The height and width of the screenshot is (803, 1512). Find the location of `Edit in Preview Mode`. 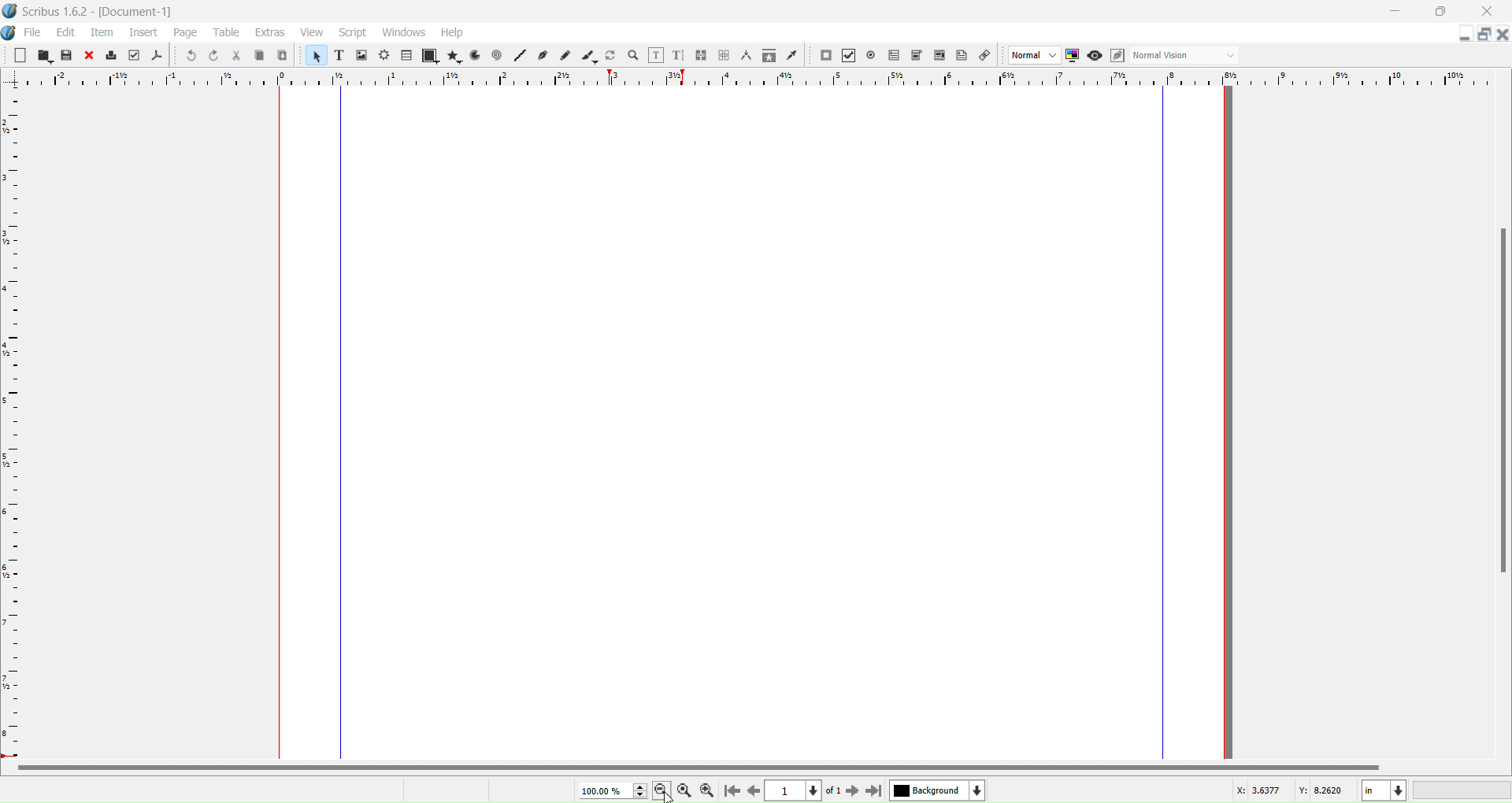

Edit in Preview Mode is located at coordinates (1116, 57).